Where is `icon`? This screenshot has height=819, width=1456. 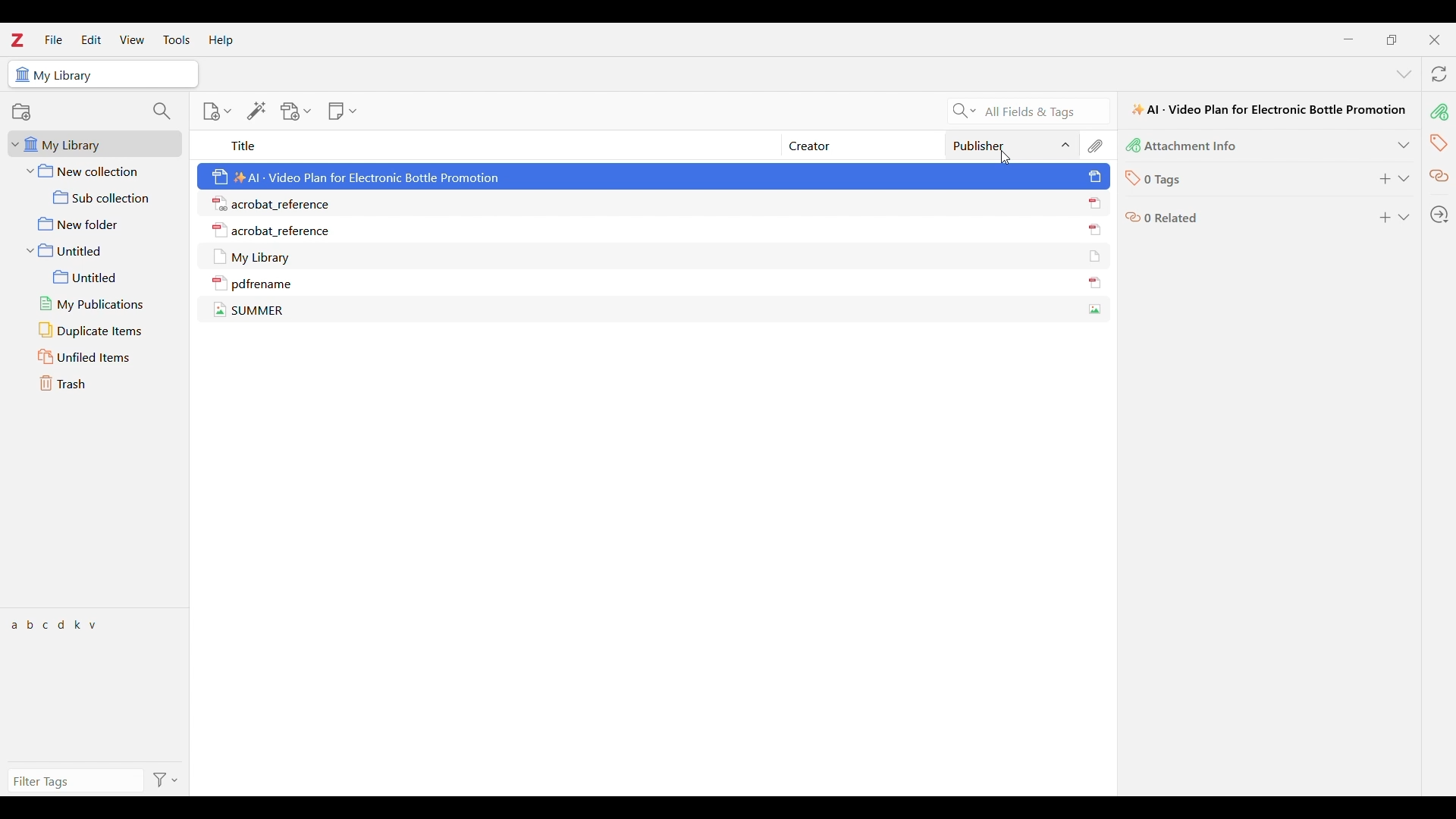
icon is located at coordinates (1094, 255).